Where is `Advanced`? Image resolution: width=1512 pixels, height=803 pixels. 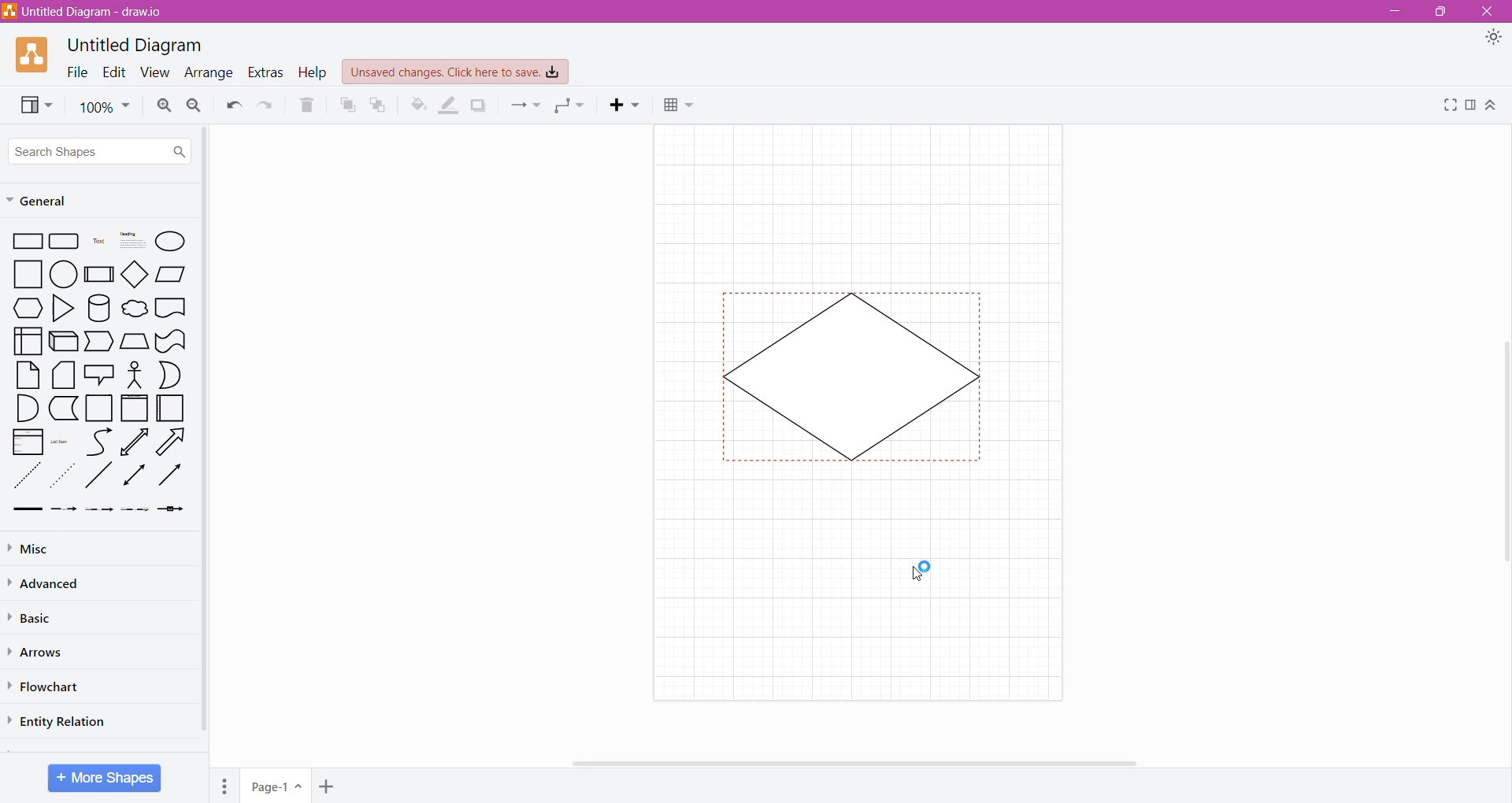
Advanced is located at coordinates (54, 584).